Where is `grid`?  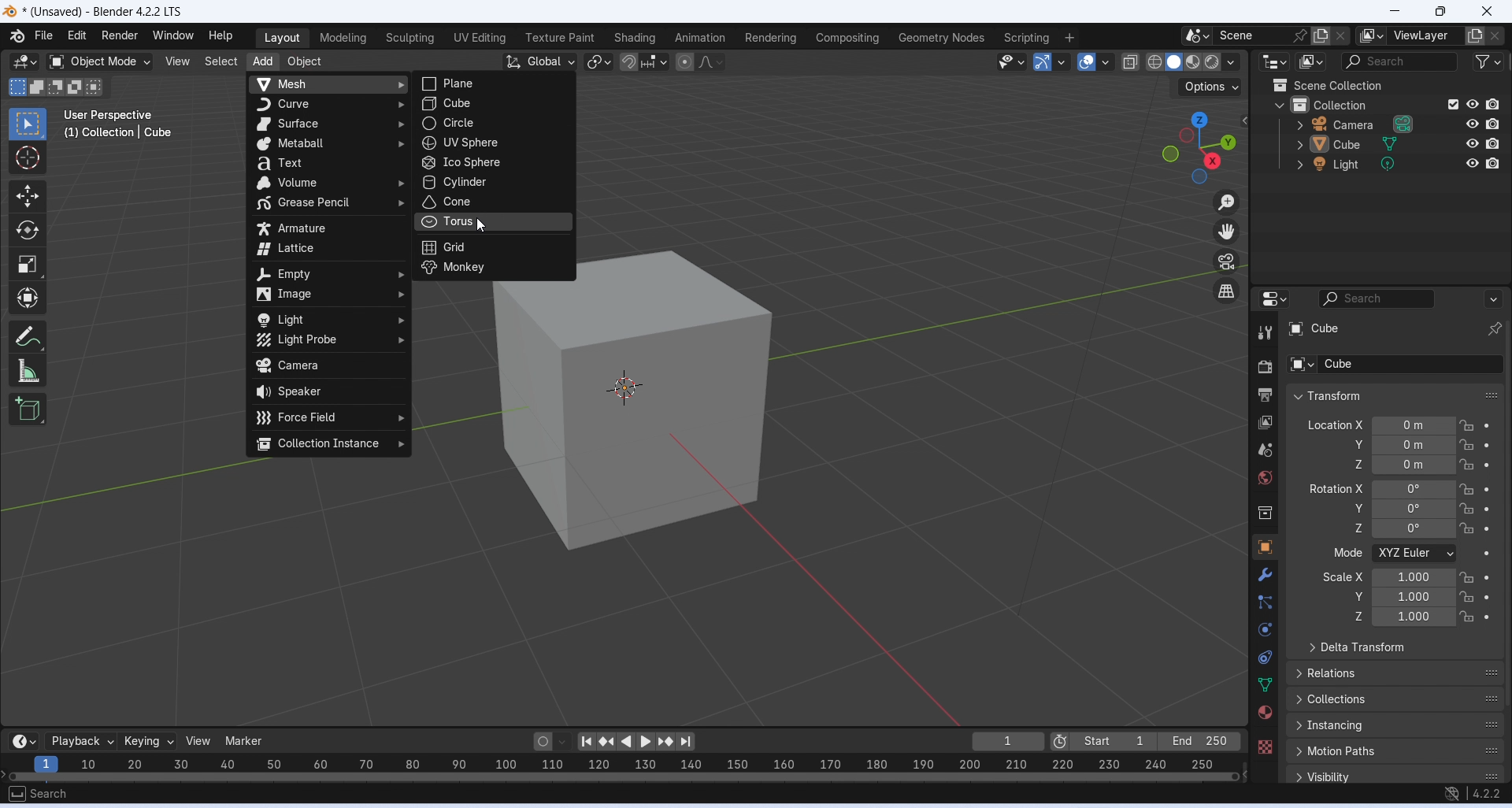 grid is located at coordinates (491, 248).